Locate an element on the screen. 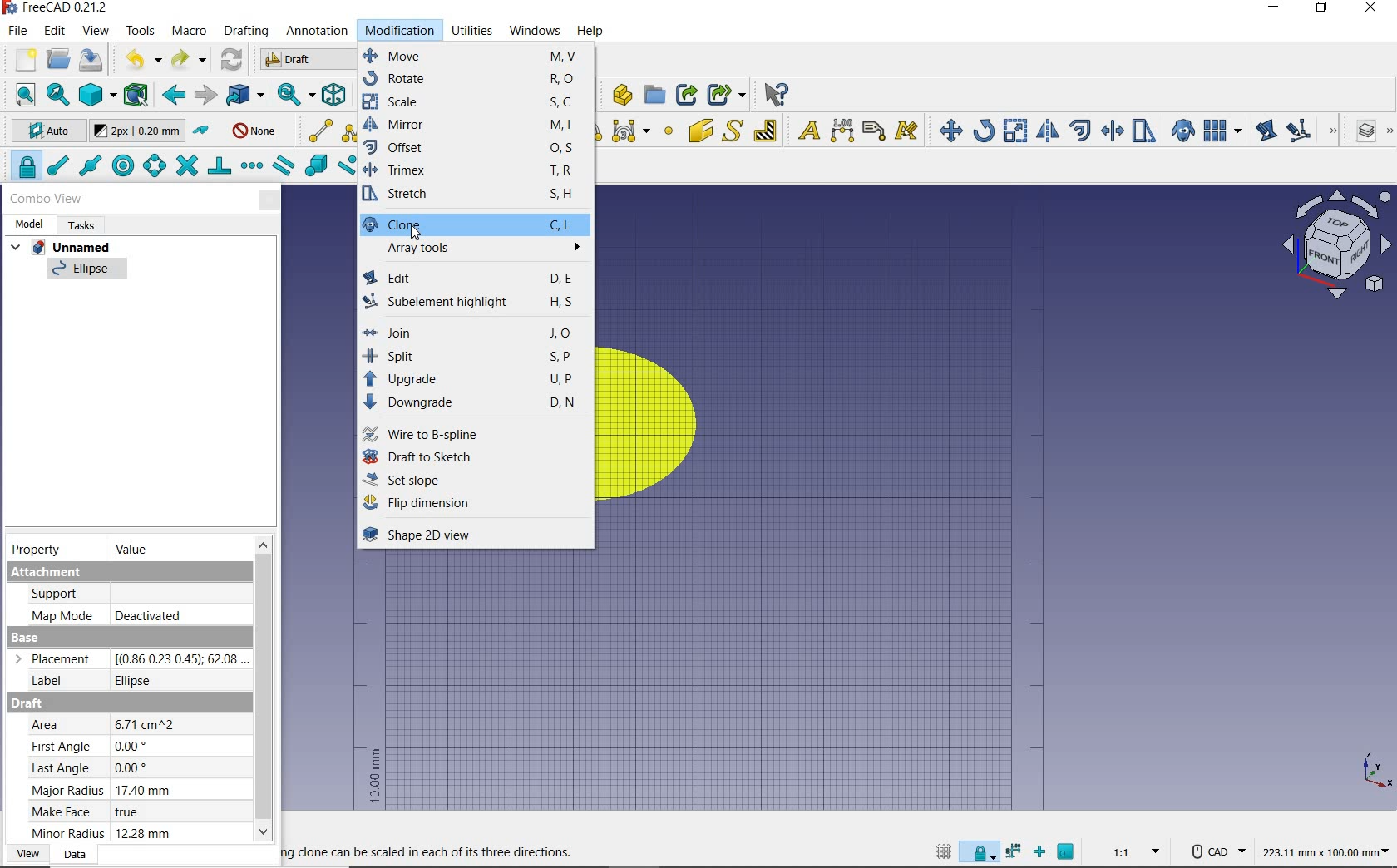 Image resolution: width=1397 pixels, height=868 pixels. what's this is located at coordinates (776, 93).